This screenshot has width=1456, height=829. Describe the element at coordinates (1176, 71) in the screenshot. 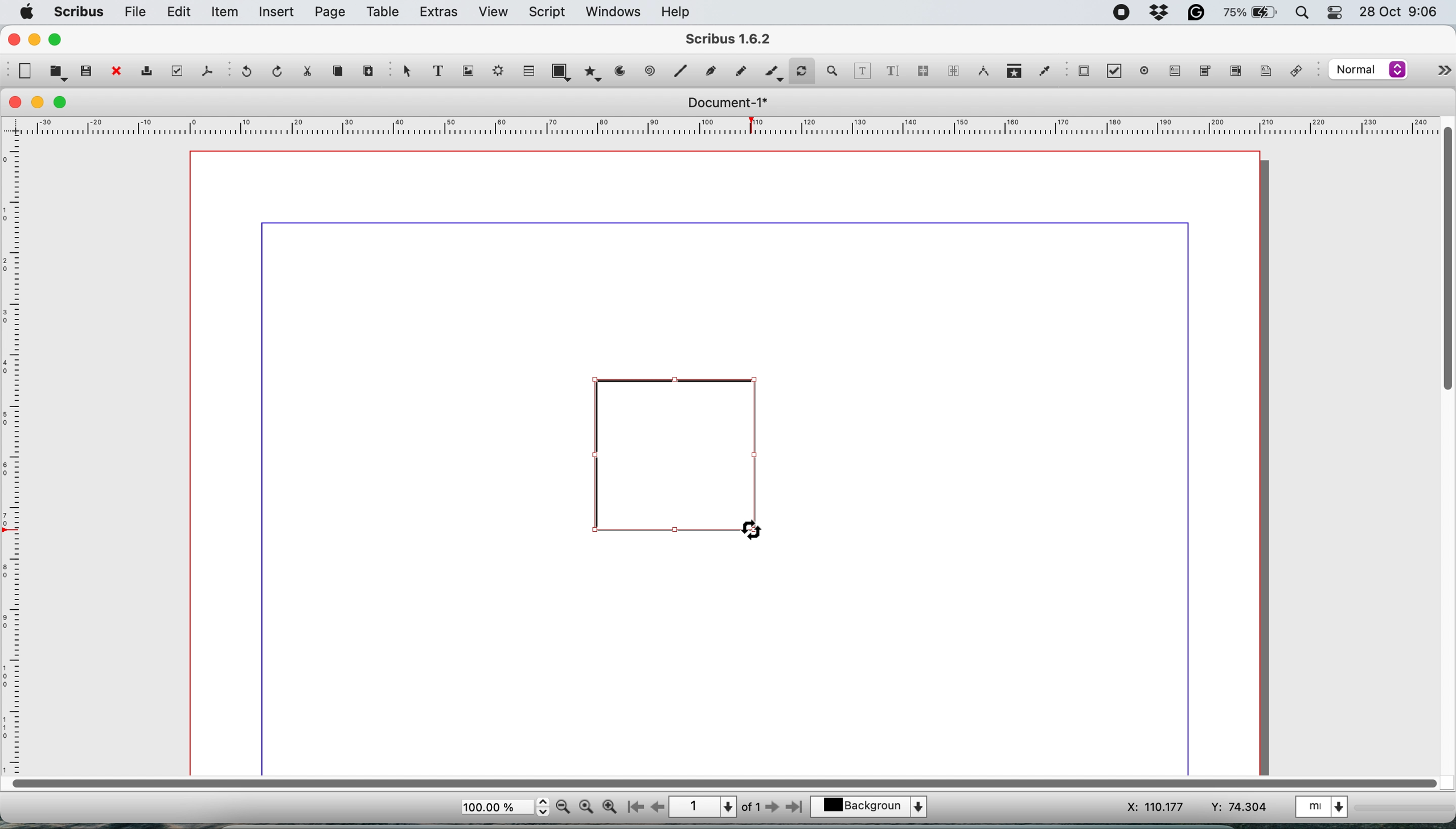

I see `pdf text button` at that location.